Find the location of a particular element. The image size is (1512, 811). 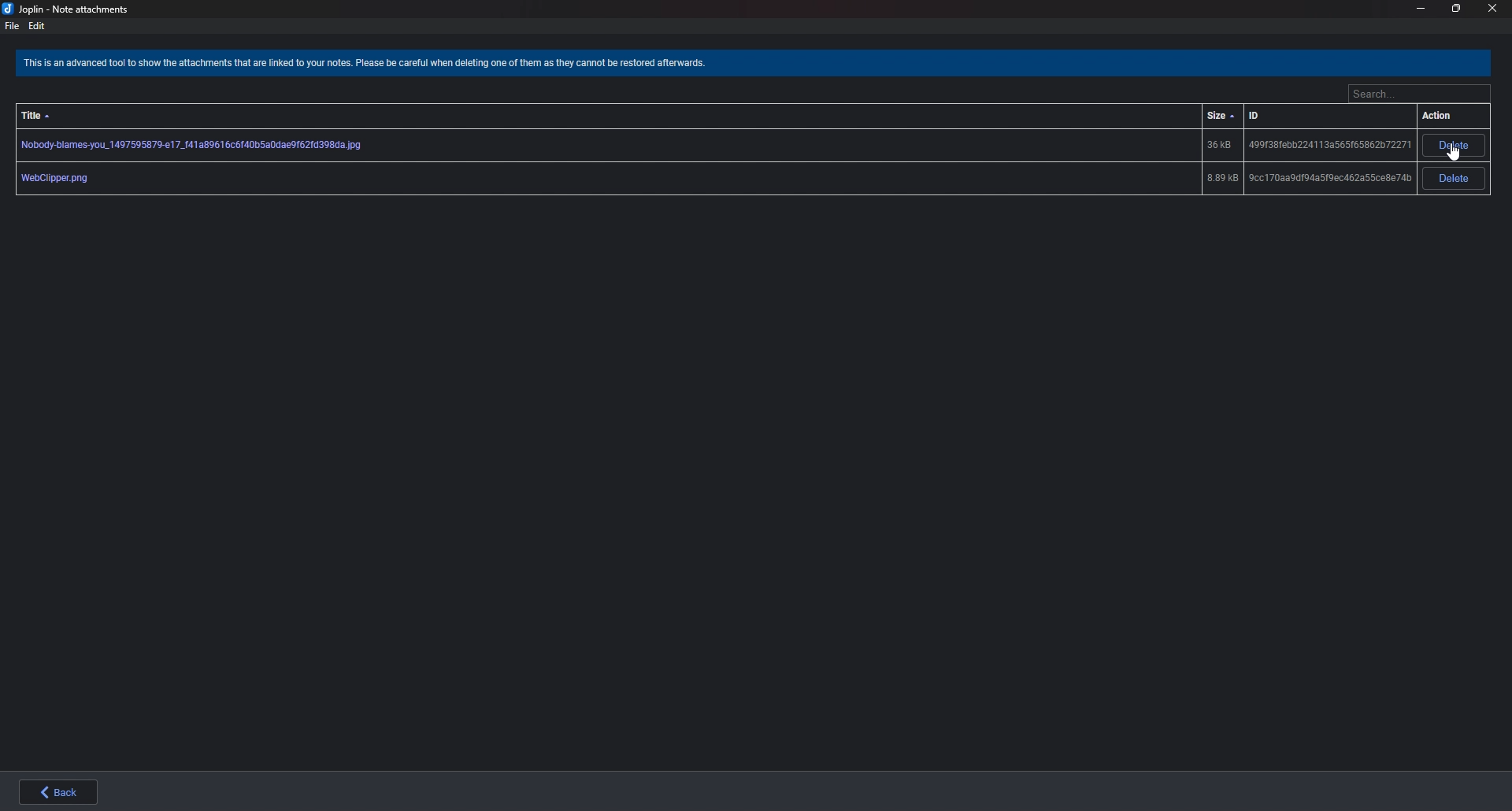

joplin is located at coordinates (69, 9).